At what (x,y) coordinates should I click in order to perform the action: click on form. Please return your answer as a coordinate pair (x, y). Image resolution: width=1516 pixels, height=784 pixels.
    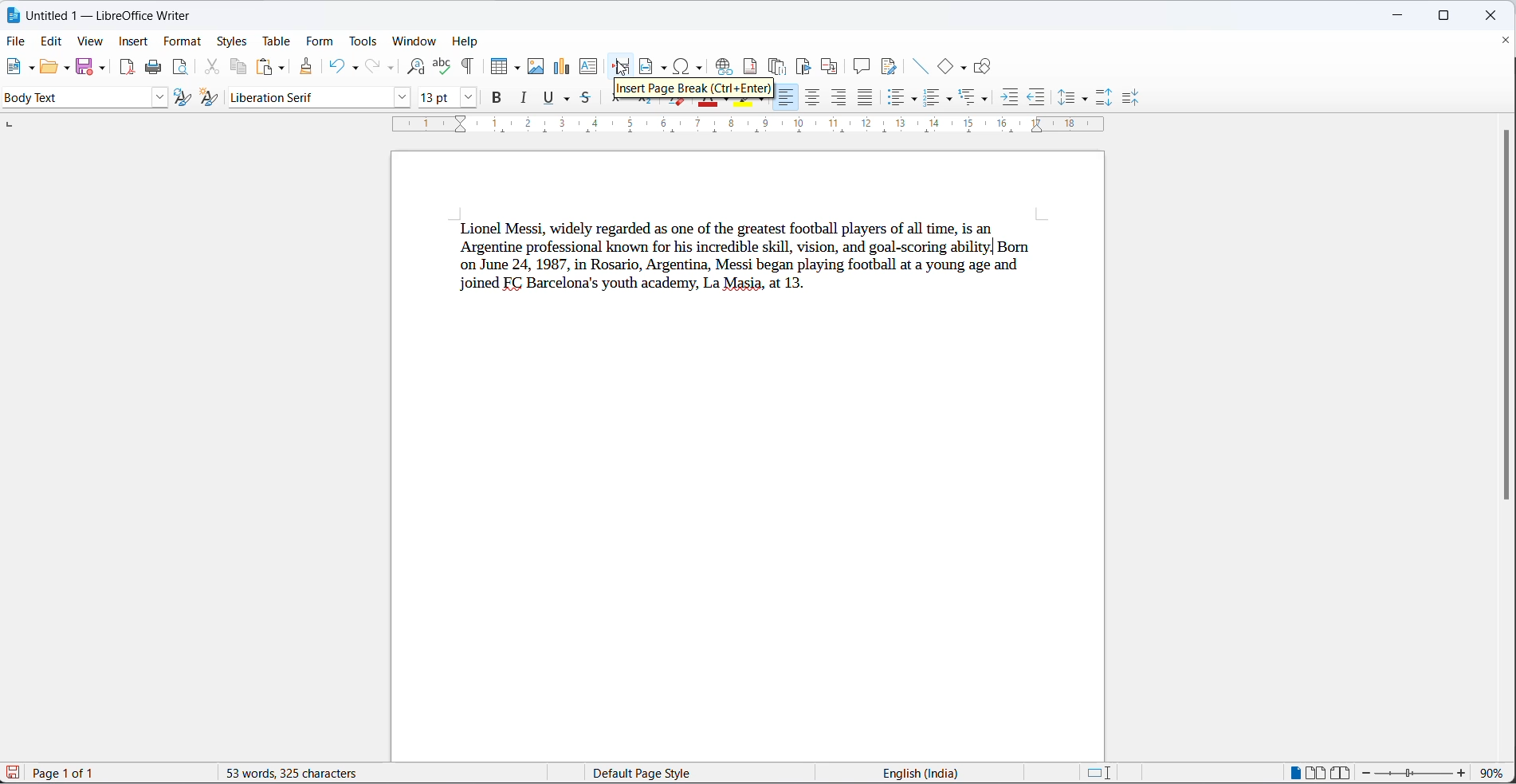
    Looking at the image, I should click on (322, 41).